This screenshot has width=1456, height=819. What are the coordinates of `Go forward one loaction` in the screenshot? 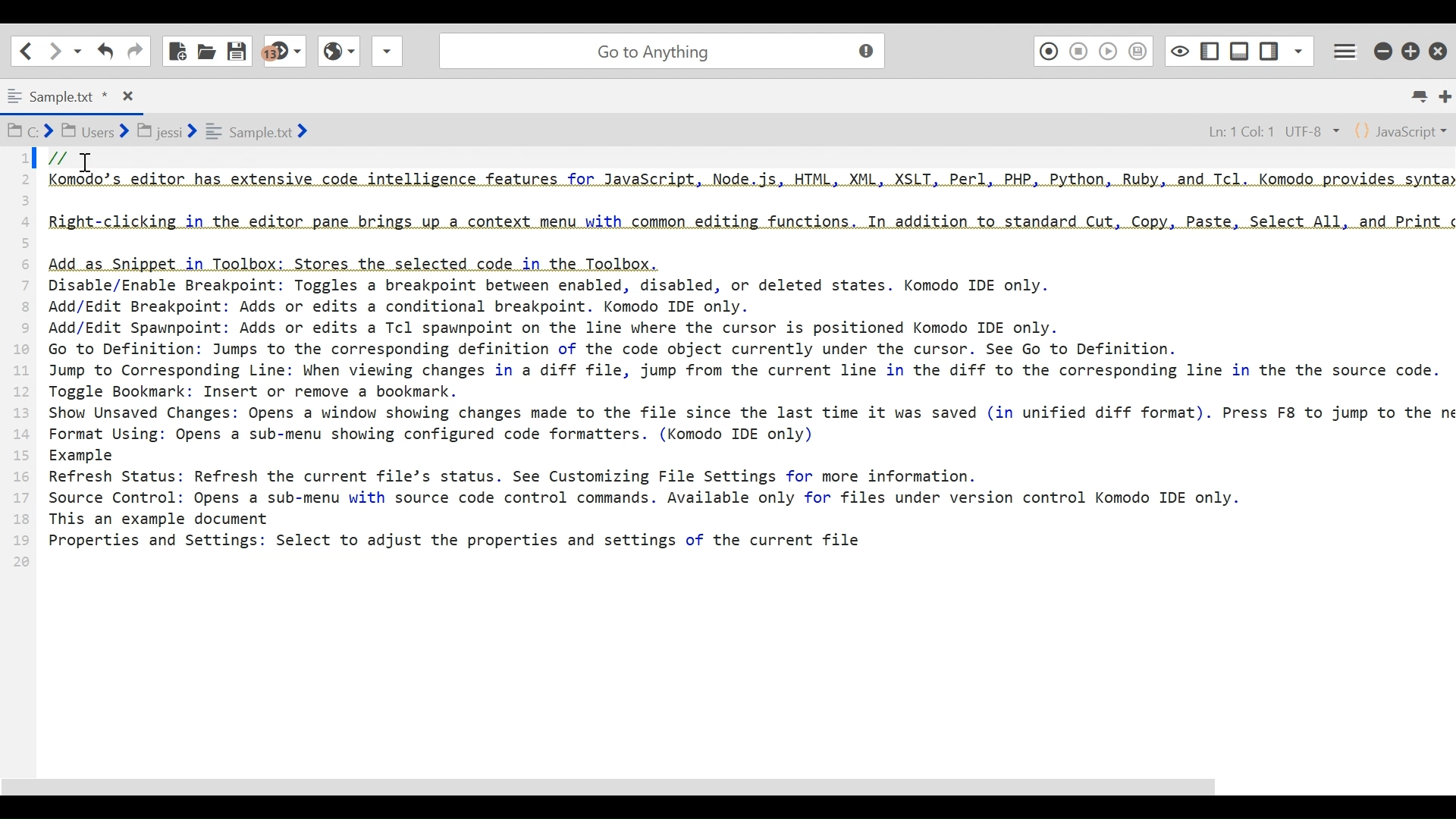 It's located at (54, 51).